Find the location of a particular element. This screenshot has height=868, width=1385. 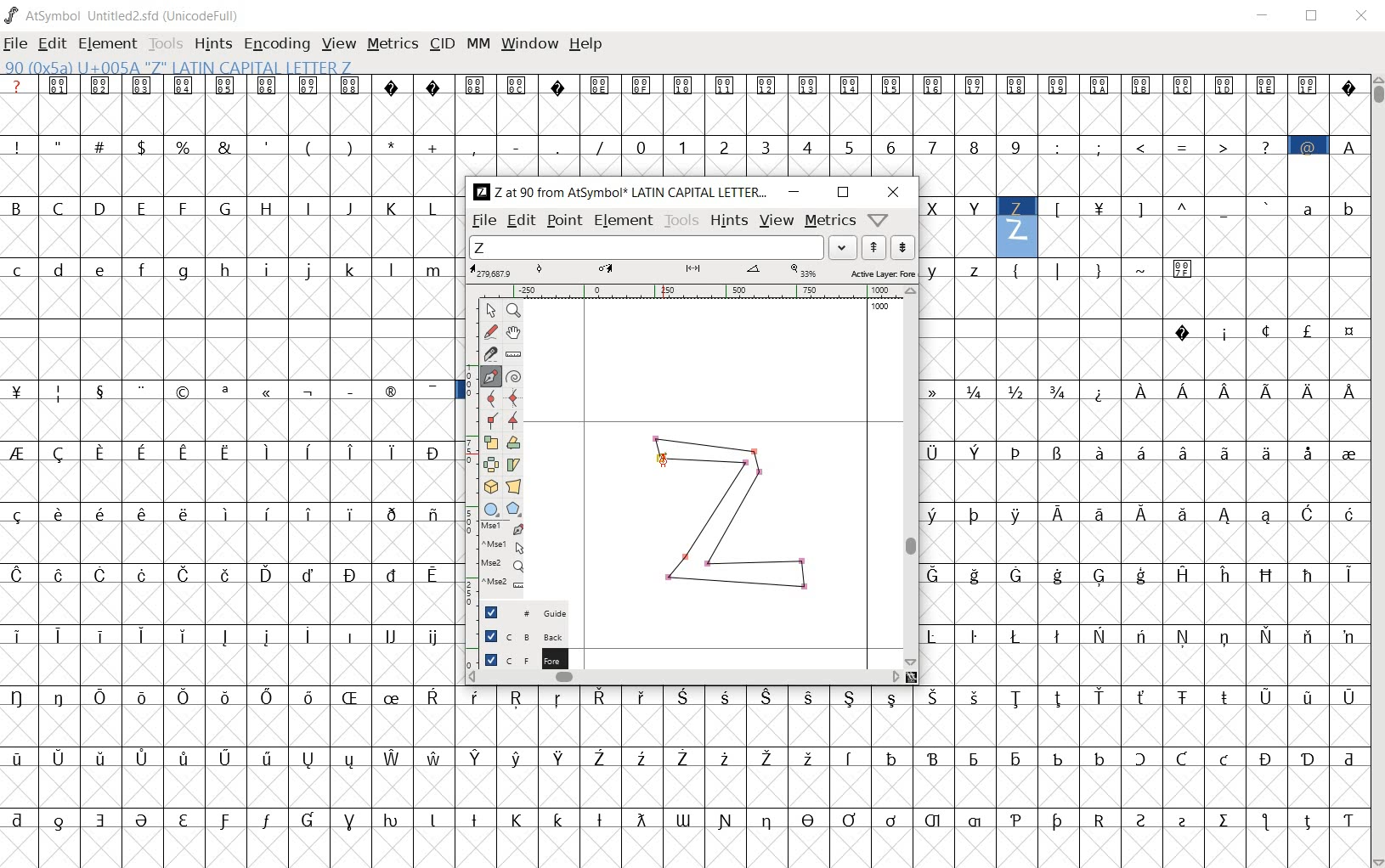

metrics is located at coordinates (830, 222).